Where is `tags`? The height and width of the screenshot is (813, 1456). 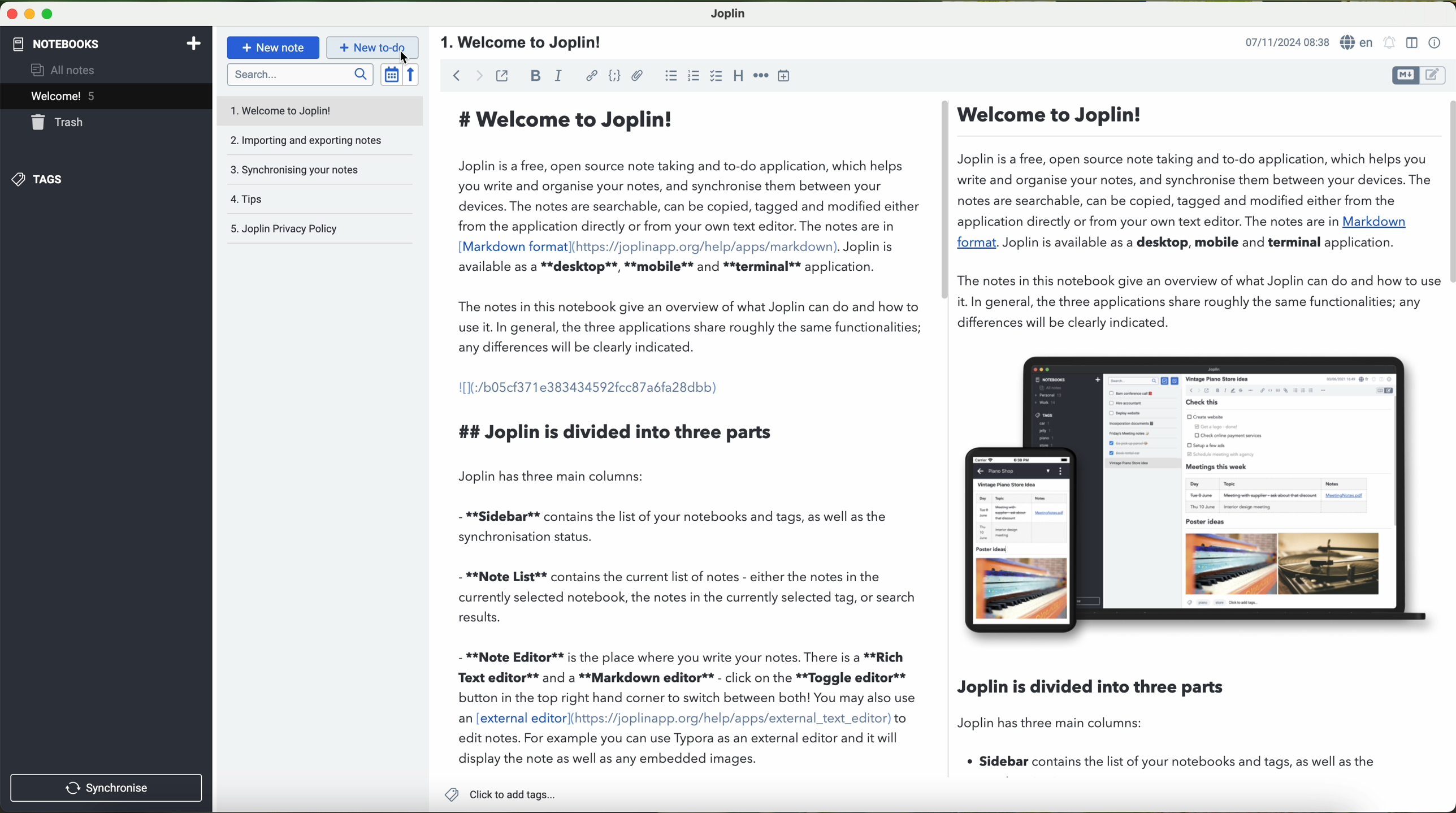
tags is located at coordinates (36, 179).